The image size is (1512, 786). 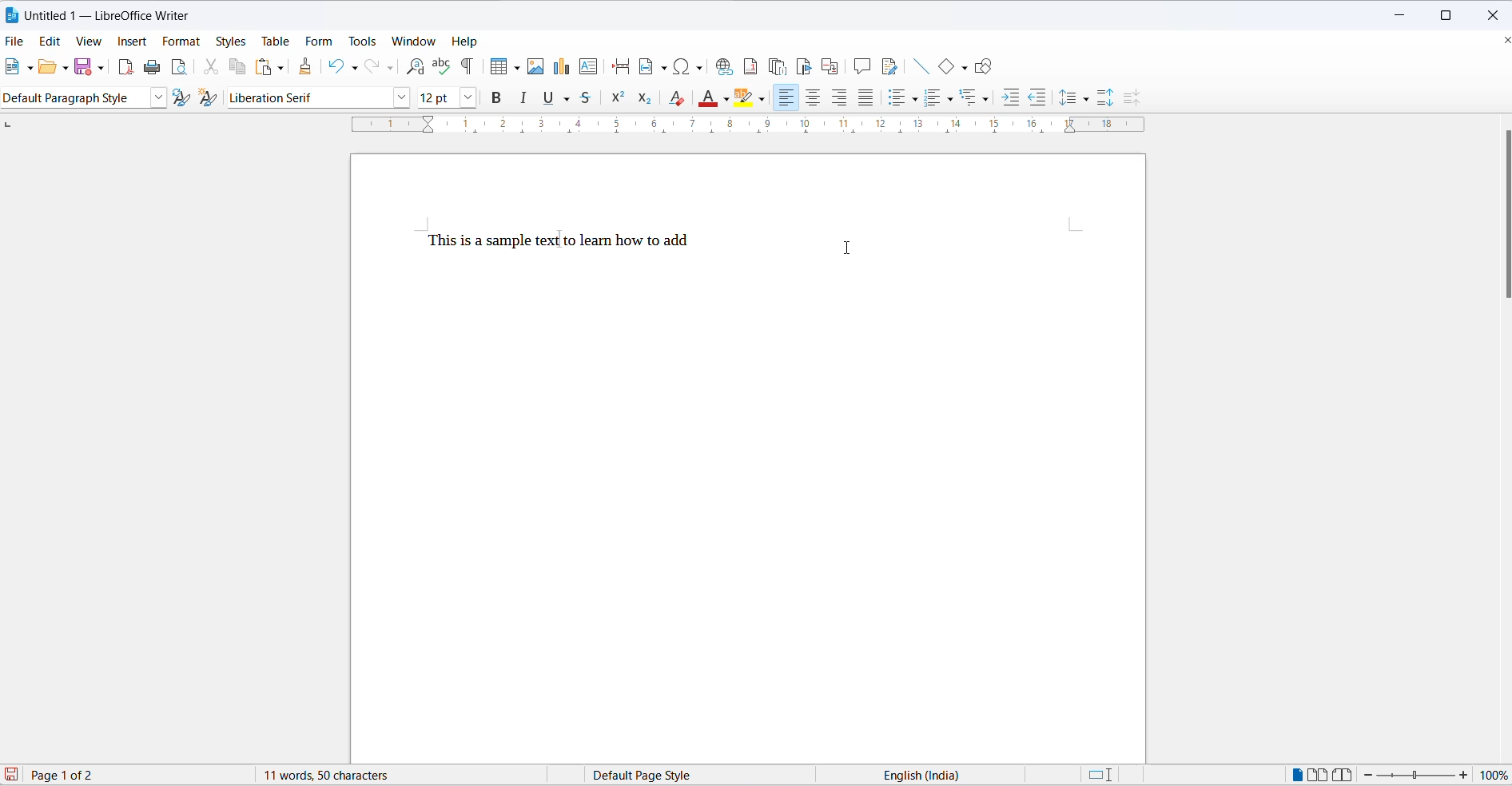 I want to click on book view, so click(x=1343, y=774).